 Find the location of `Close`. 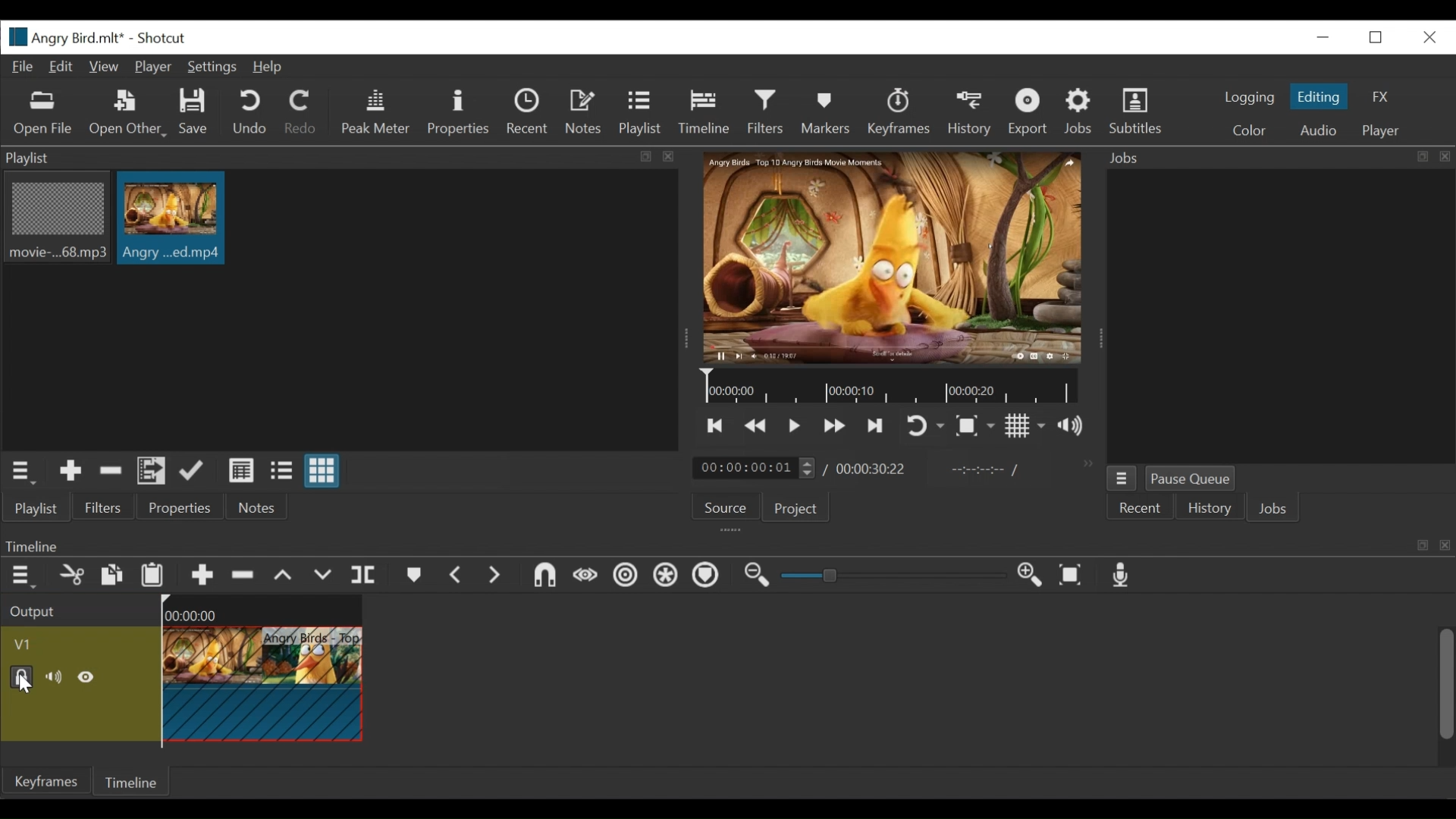

Close is located at coordinates (1426, 36).